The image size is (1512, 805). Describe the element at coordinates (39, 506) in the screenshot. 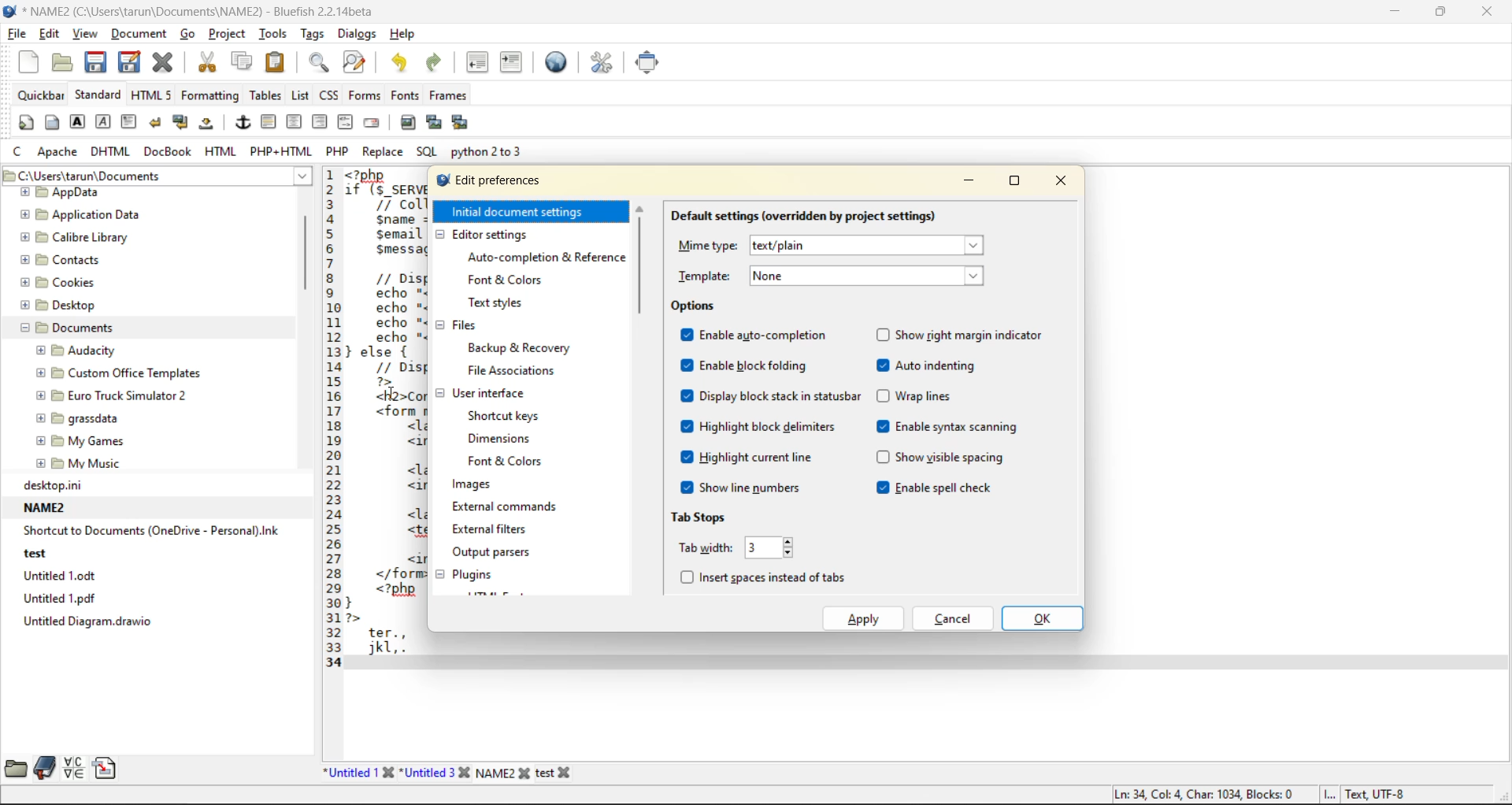

I see `NAME2` at that location.